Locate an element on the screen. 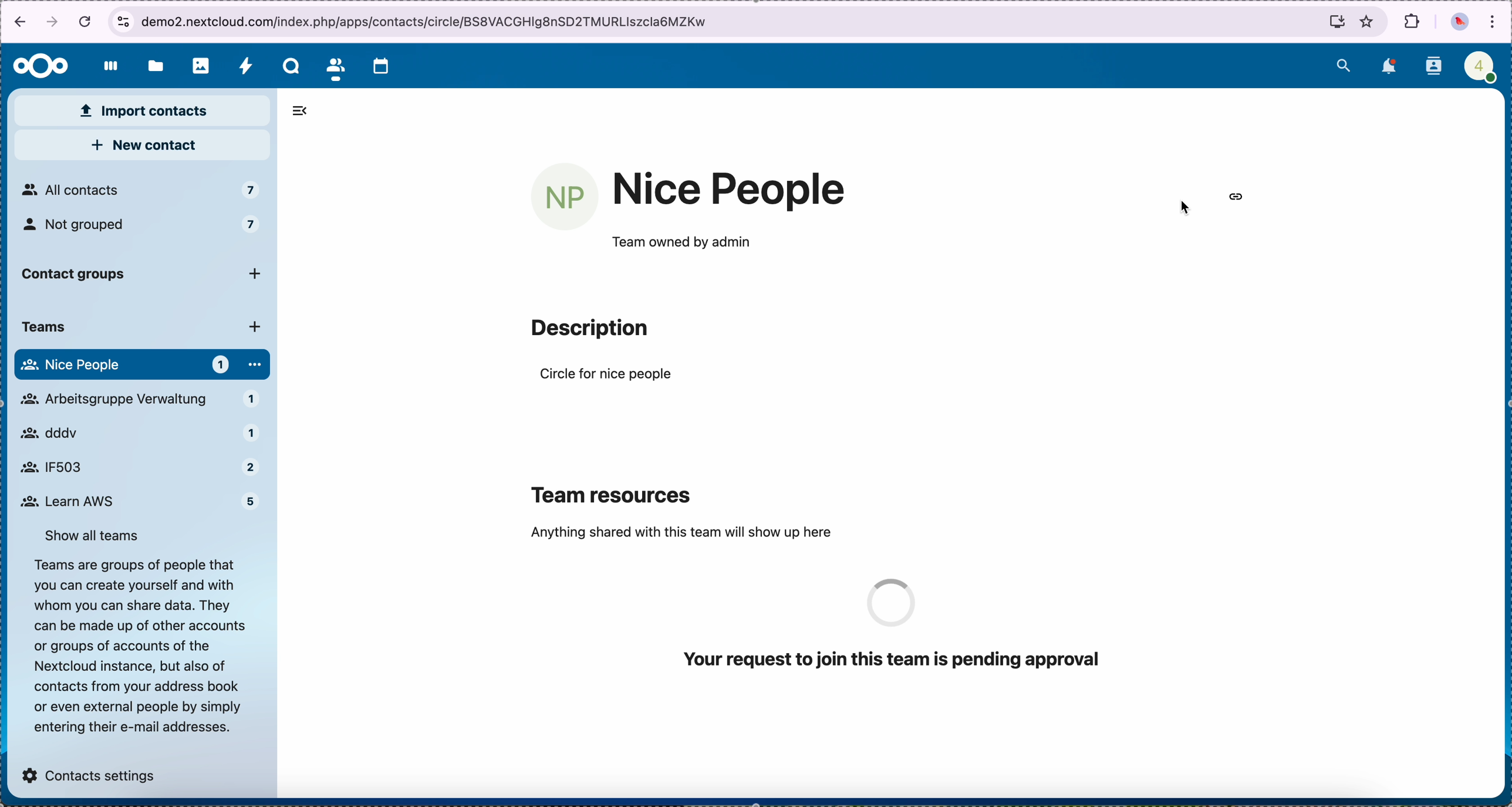 The image size is (1512, 807). show all temas is located at coordinates (95, 534).